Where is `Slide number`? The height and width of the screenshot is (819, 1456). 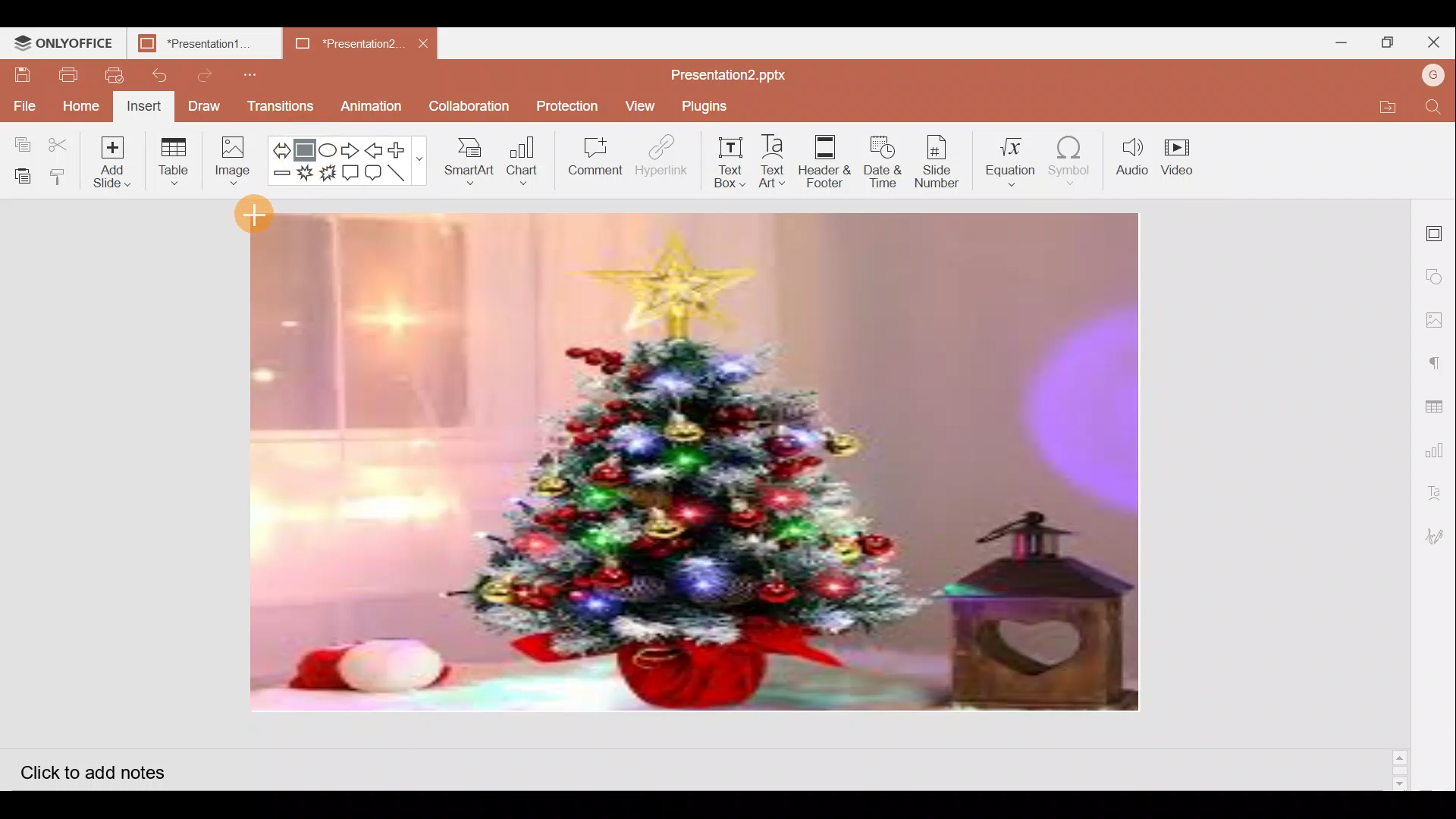
Slide number is located at coordinates (942, 160).